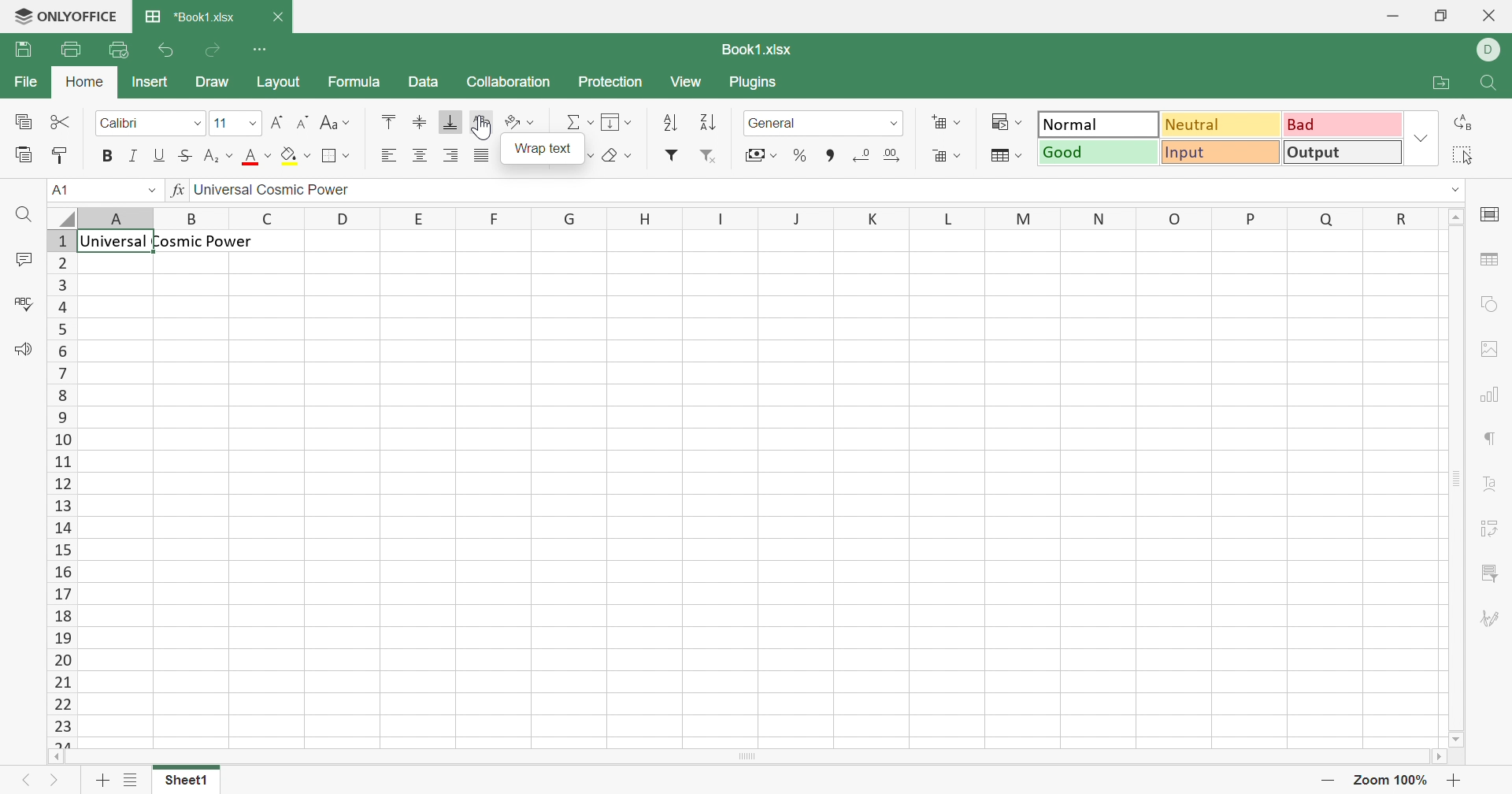 The image size is (1512, 794). What do you see at coordinates (278, 19) in the screenshot?
I see `Close` at bounding box center [278, 19].